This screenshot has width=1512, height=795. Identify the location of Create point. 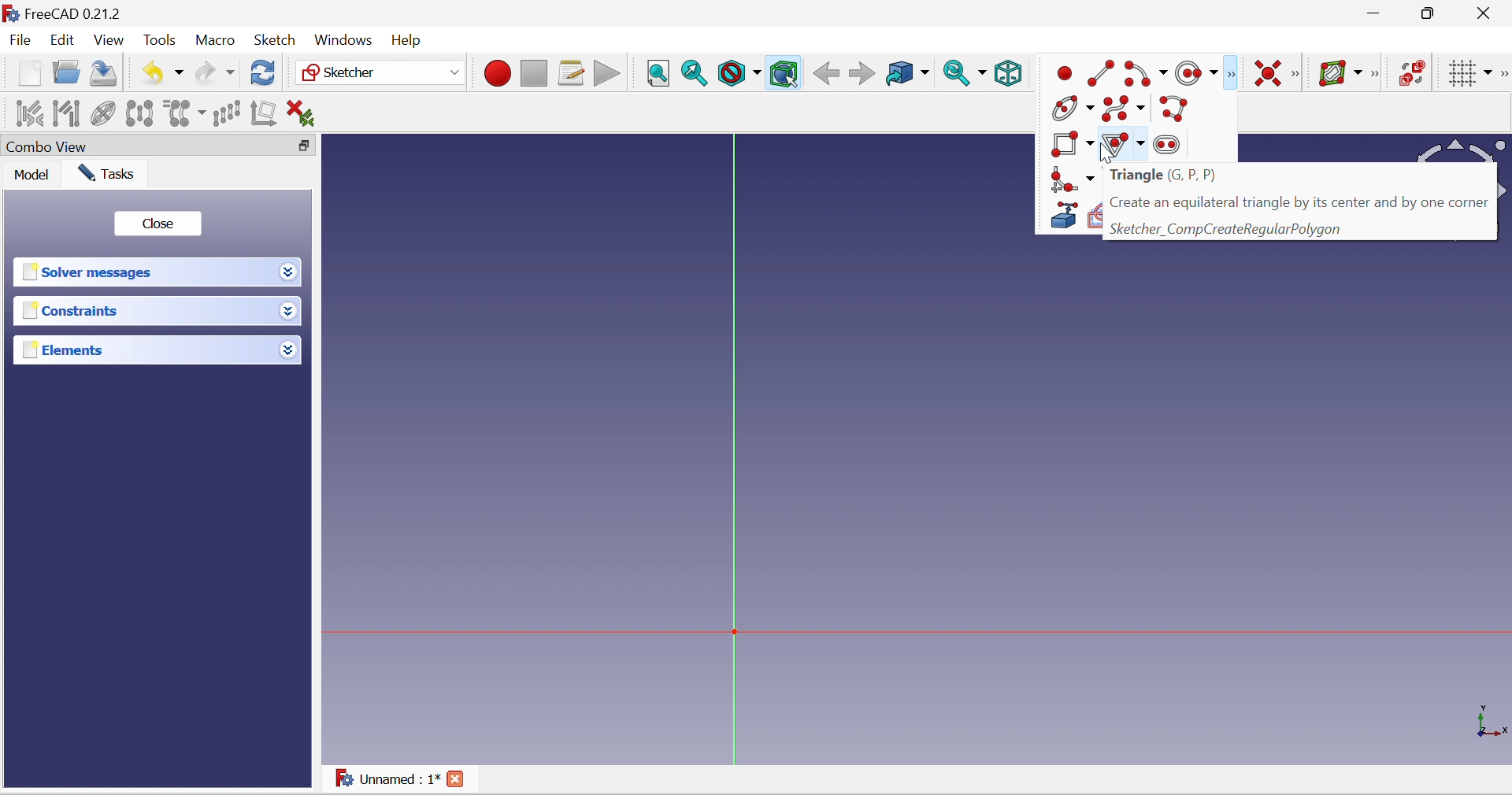
(1064, 72).